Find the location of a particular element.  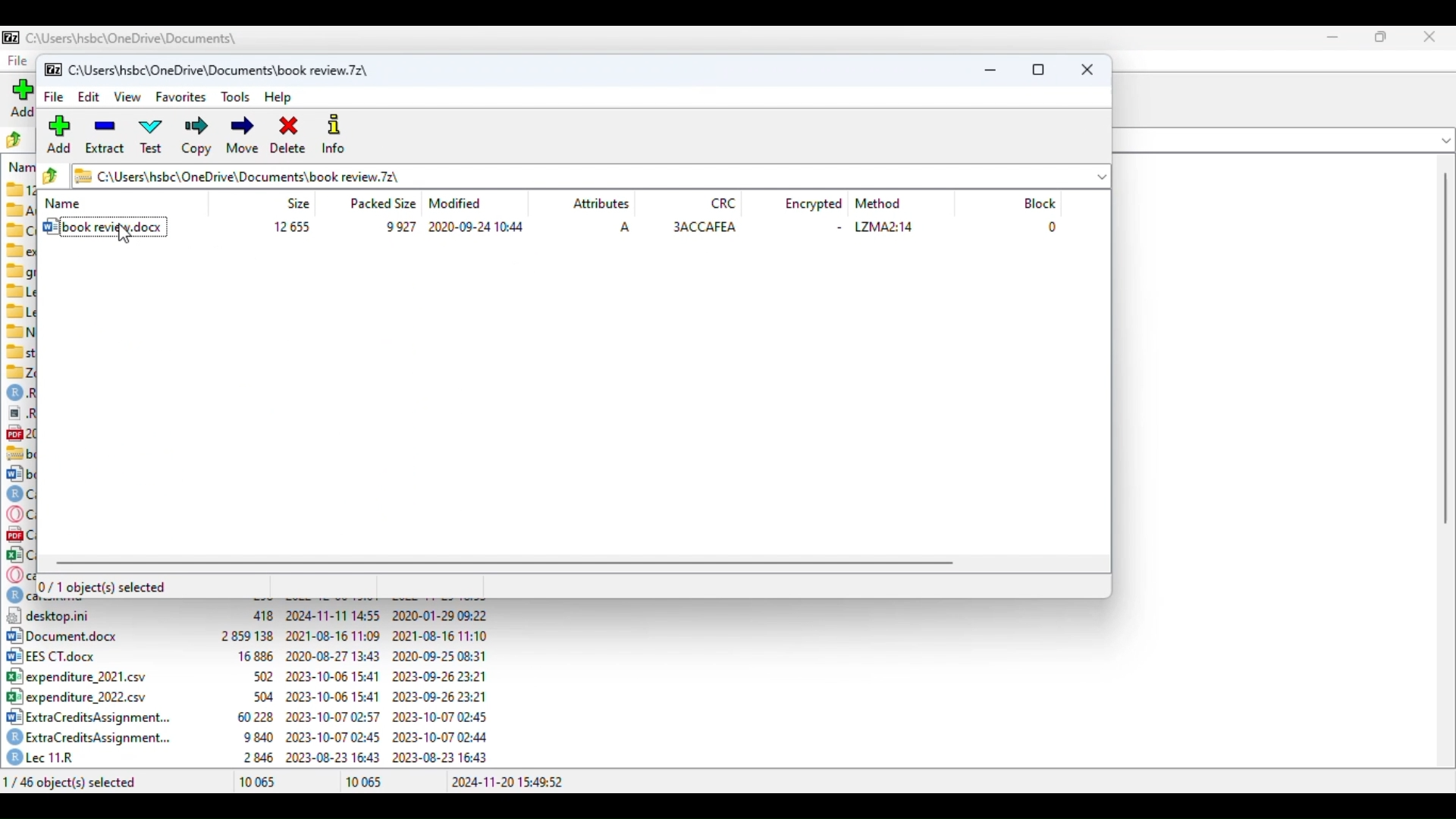

modified is located at coordinates (456, 202).